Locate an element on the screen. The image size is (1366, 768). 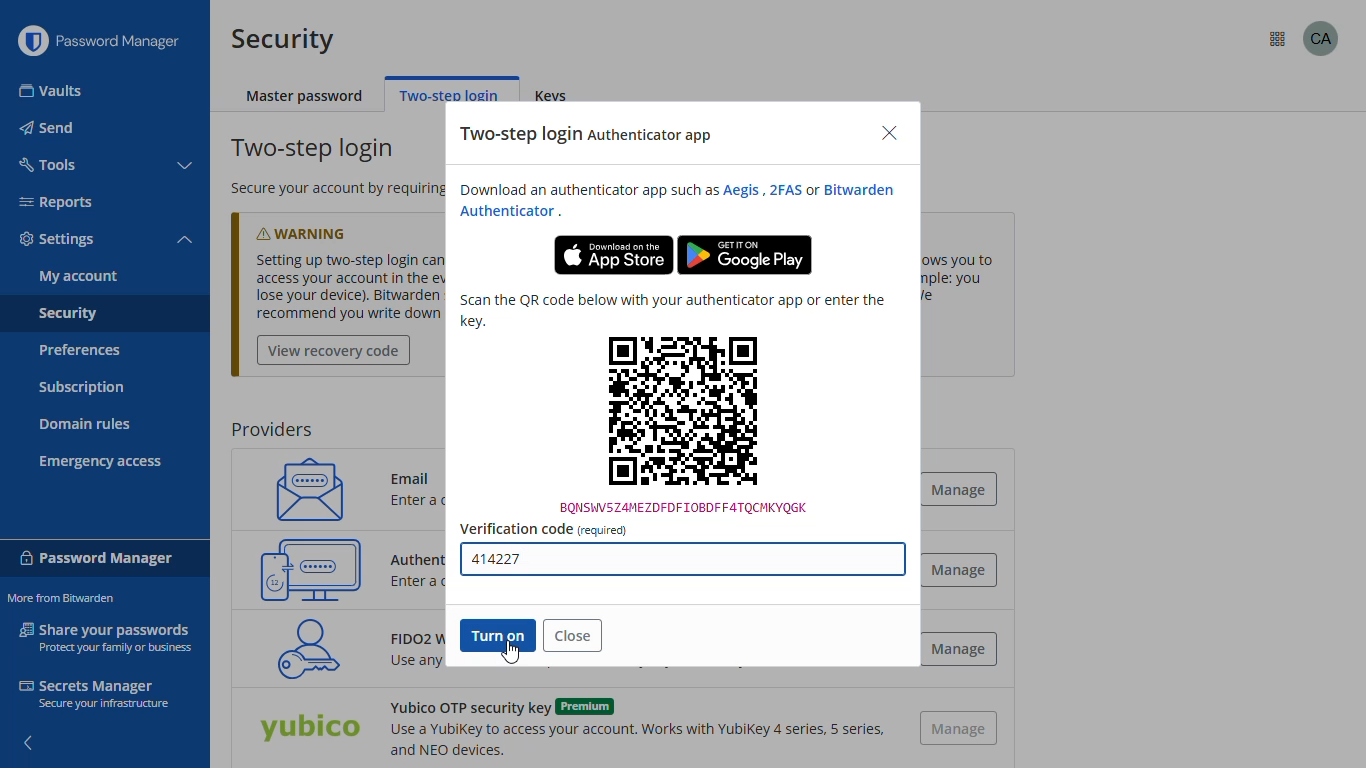
emergency access is located at coordinates (101, 462).